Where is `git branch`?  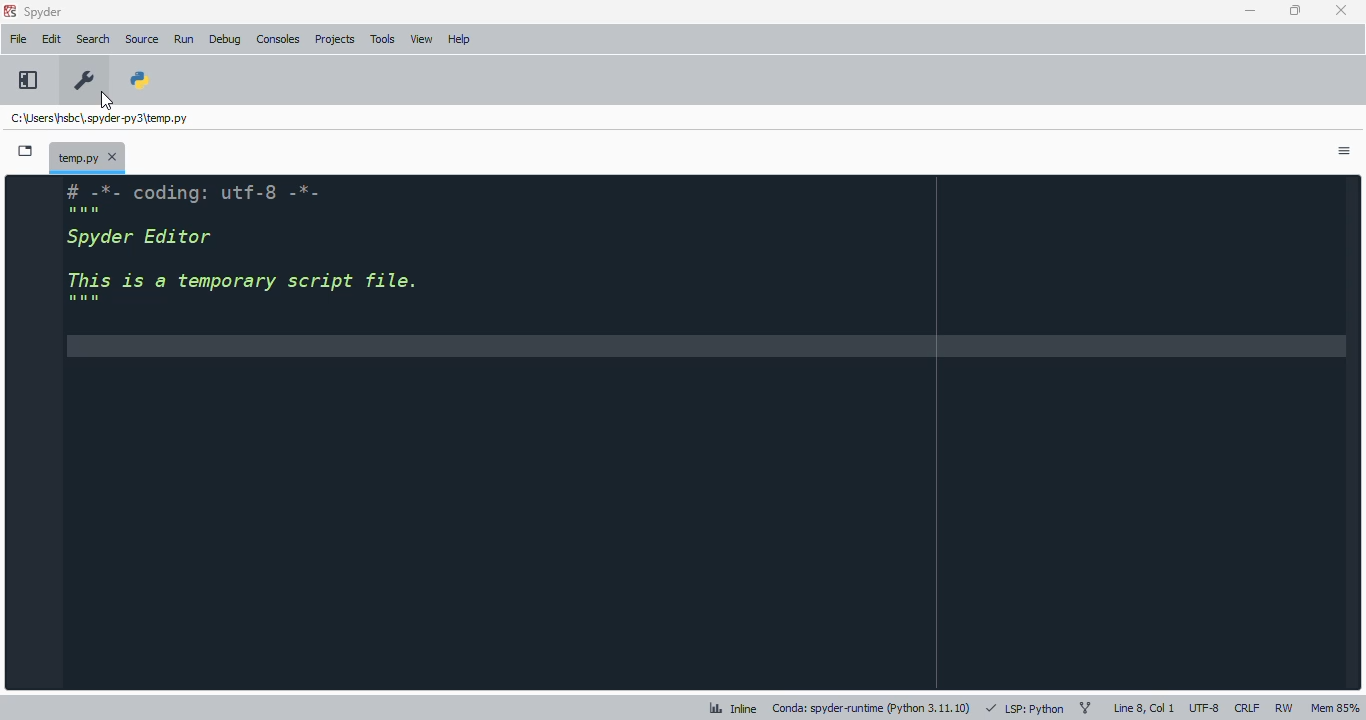
git branch is located at coordinates (1086, 708).